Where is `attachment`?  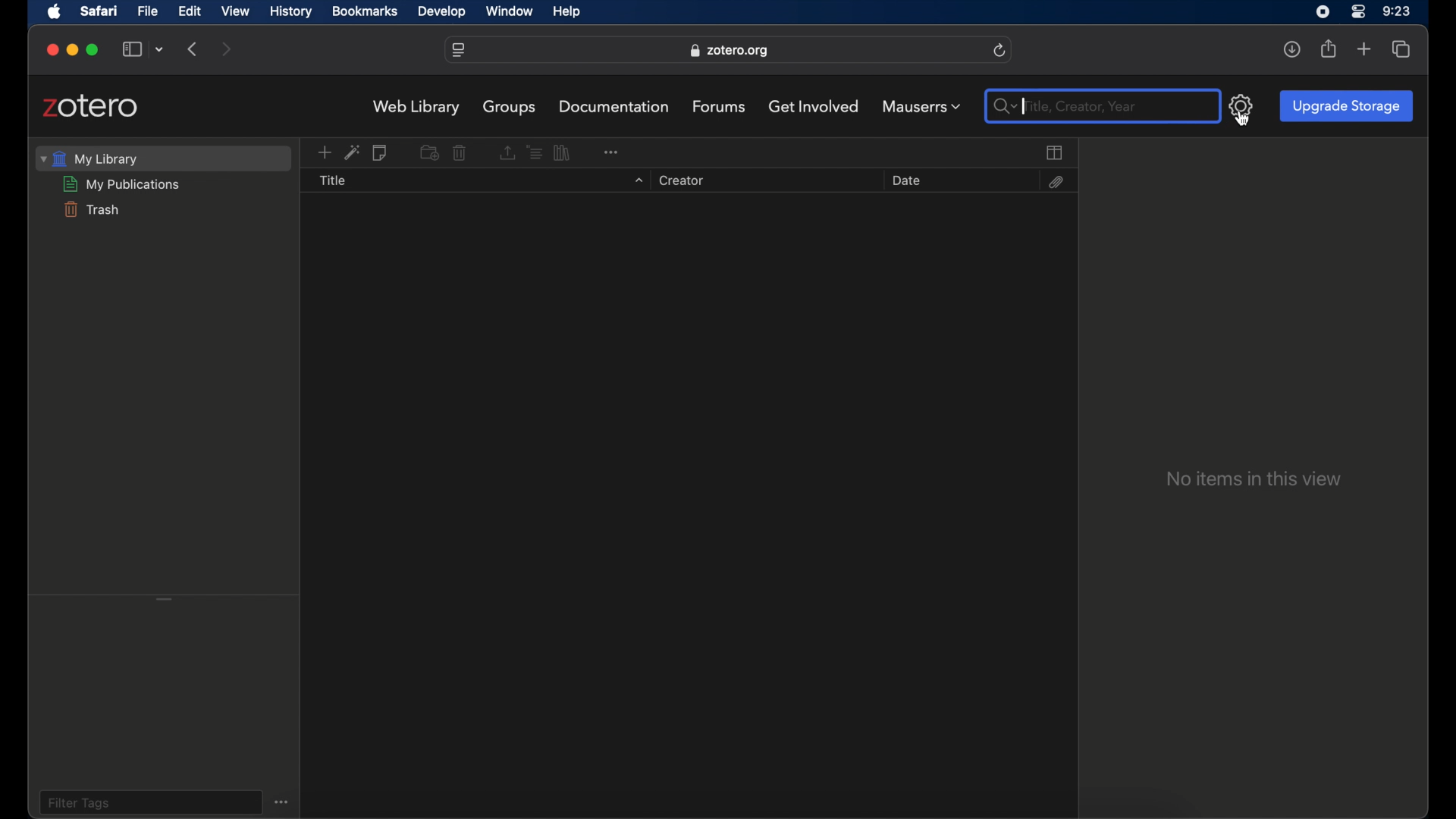
attachment is located at coordinates (1055, 182).